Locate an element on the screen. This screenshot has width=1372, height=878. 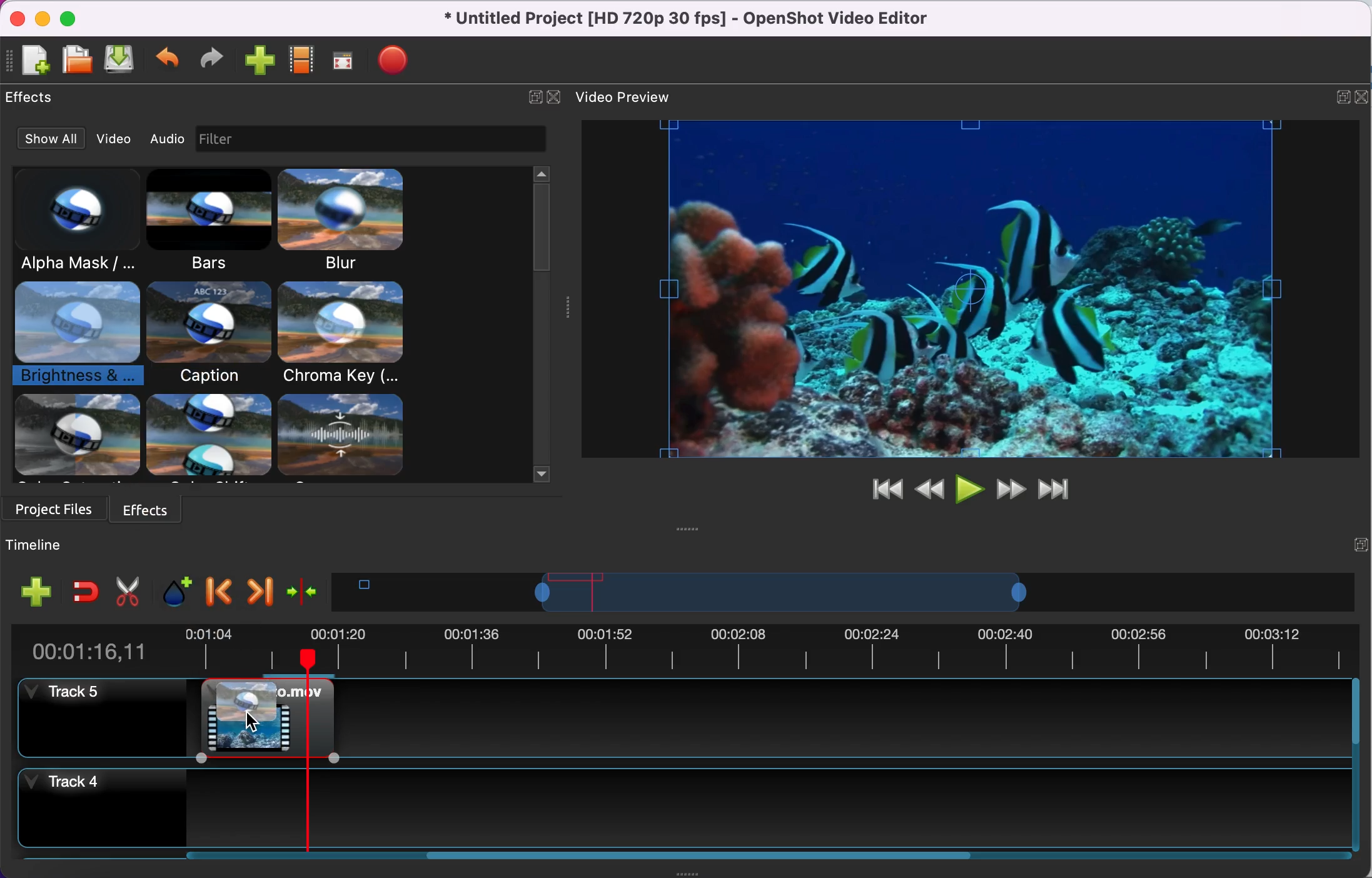
audio is located at coordinates (166, 141).